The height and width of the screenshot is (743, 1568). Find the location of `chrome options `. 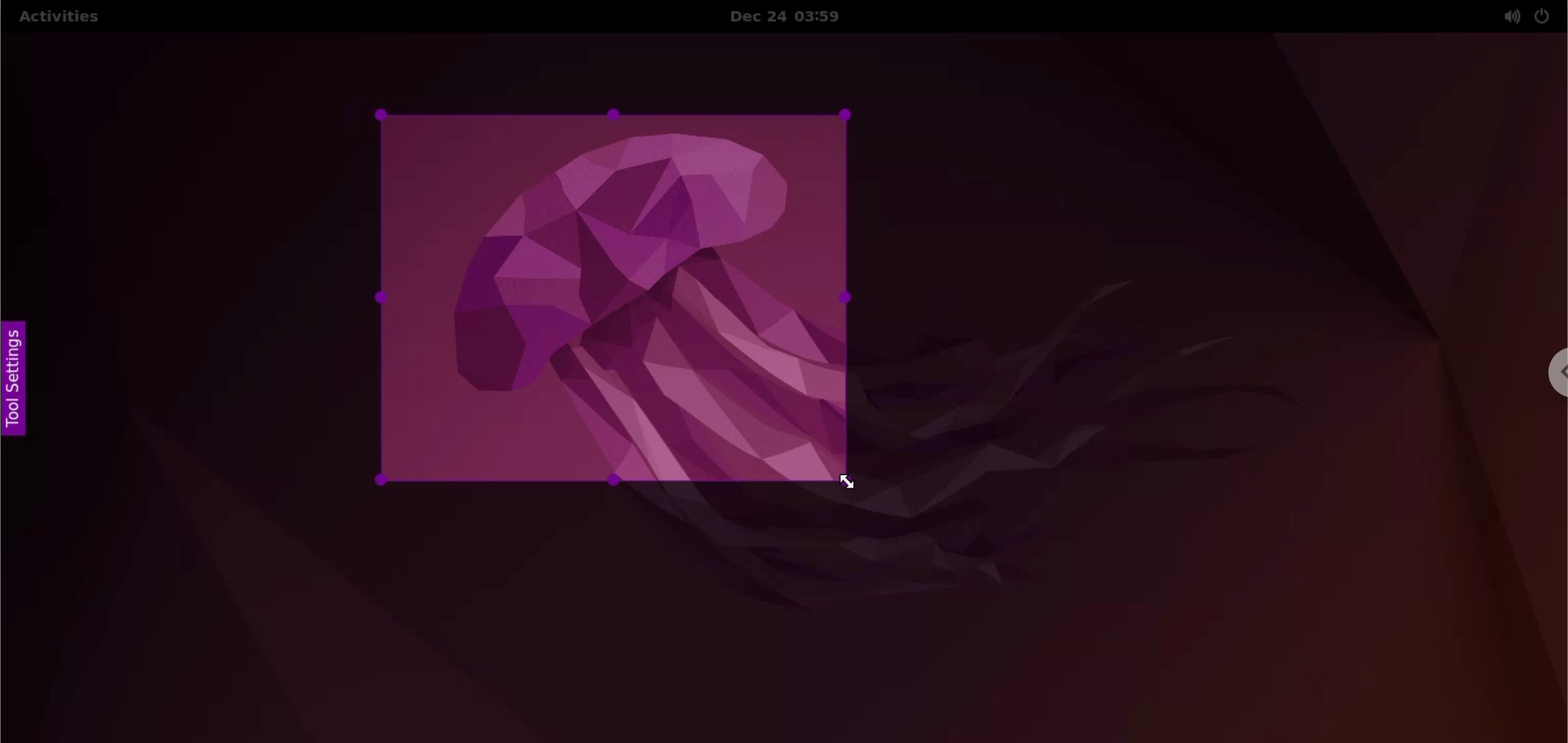

chrome options  is located at coordinates (1552, 376).